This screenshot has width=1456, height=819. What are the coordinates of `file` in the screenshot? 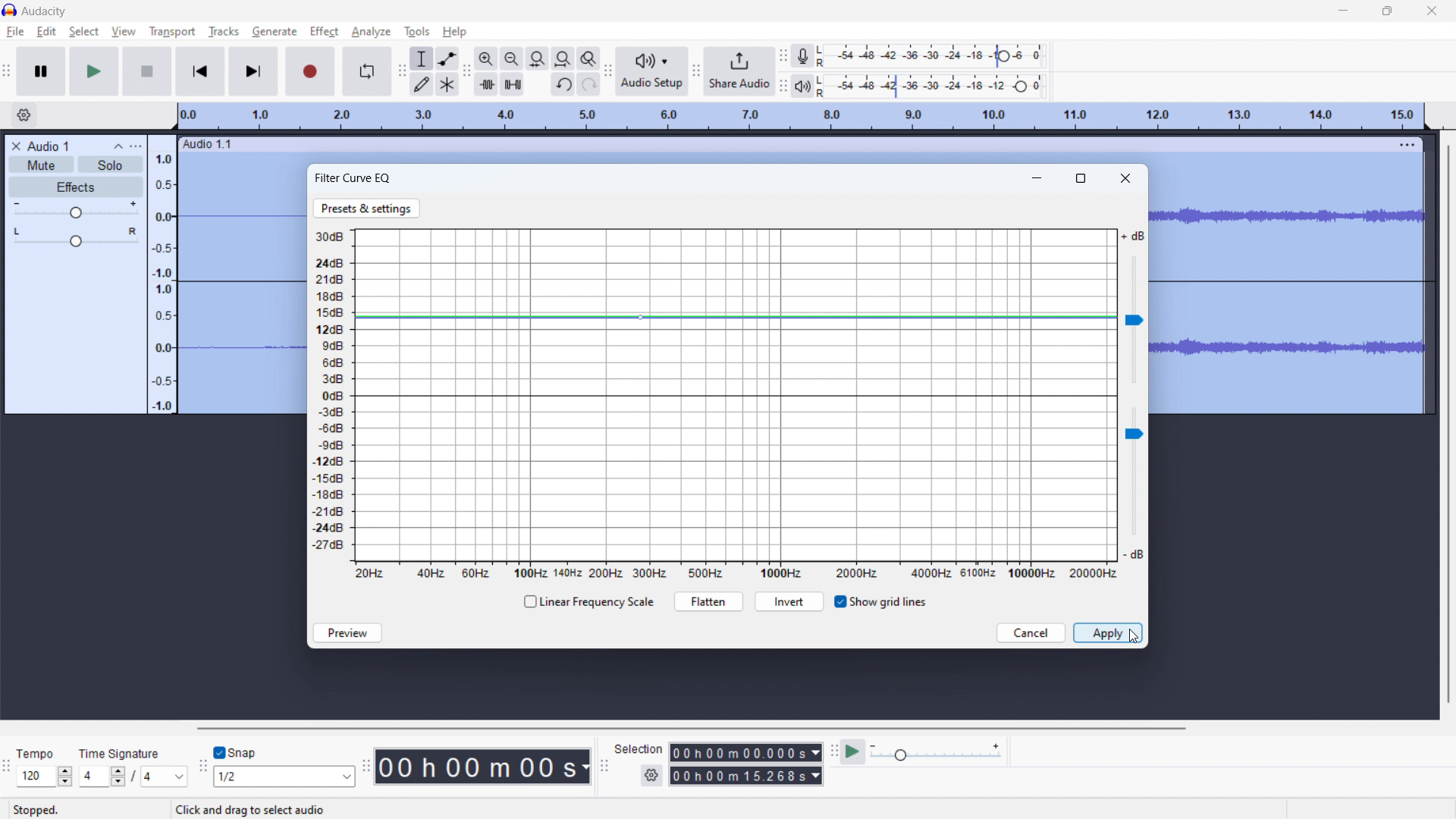 It's located at (16, 32).